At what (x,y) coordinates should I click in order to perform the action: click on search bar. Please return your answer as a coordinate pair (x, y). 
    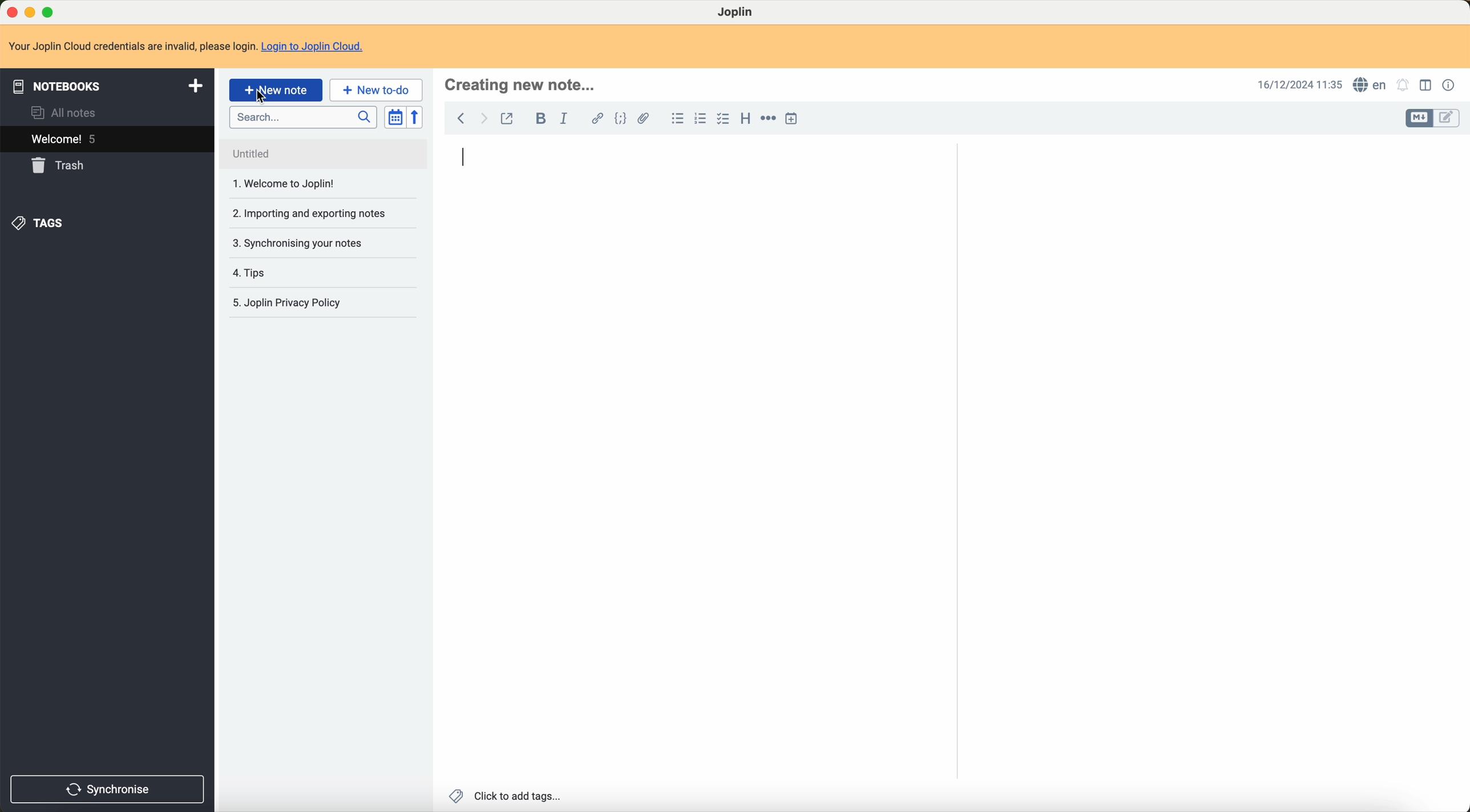
    Looking at the image, I should click on (300, 116).